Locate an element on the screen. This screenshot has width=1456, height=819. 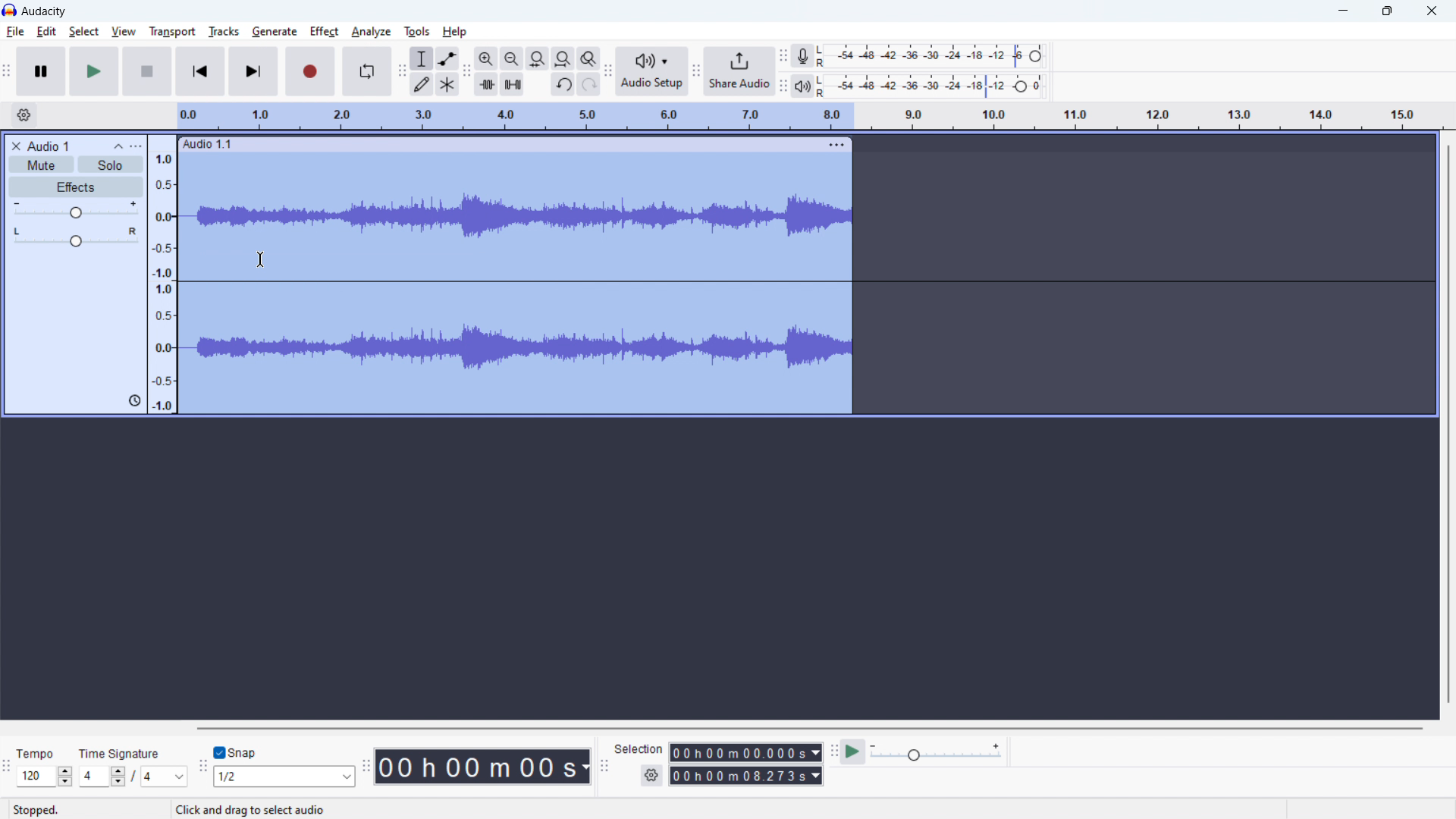
gain is located at coordinates (76, 210).